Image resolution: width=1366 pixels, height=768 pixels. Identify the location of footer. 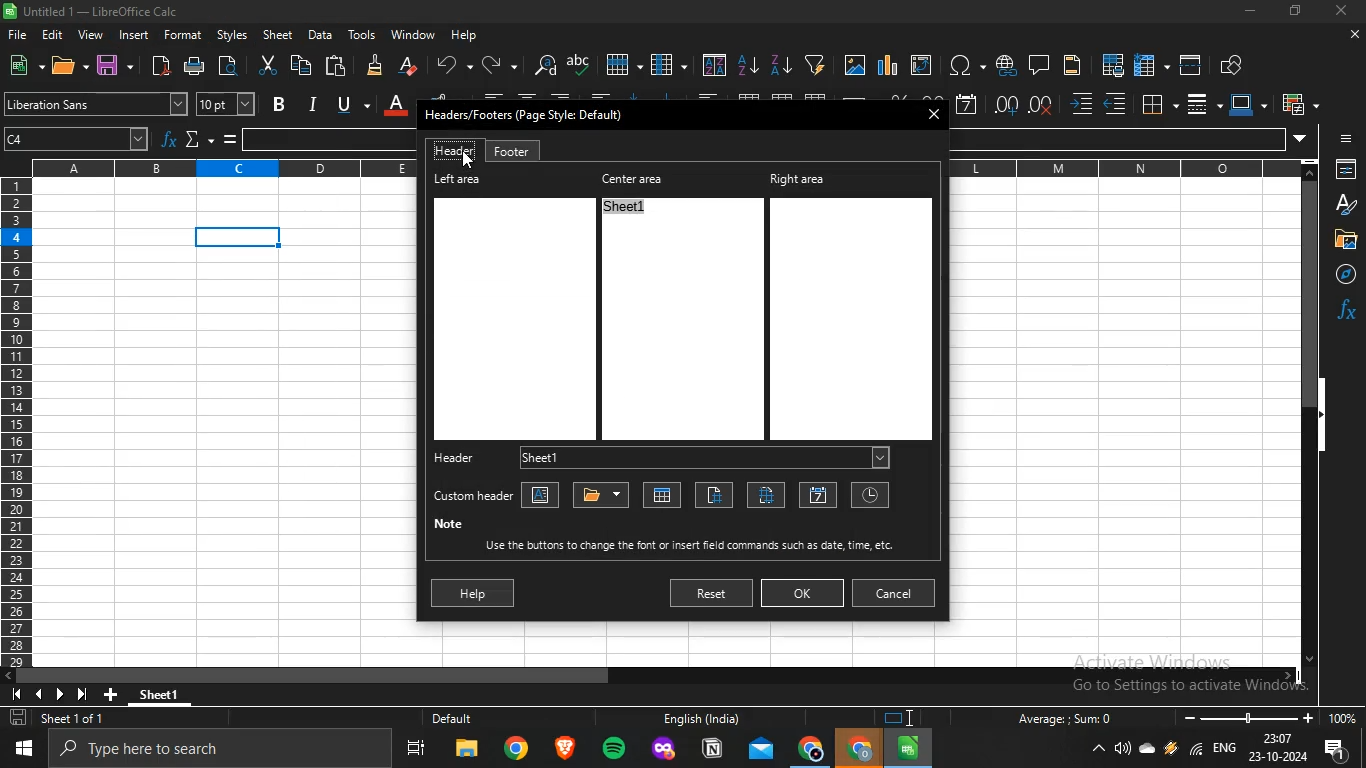
(511, 151).